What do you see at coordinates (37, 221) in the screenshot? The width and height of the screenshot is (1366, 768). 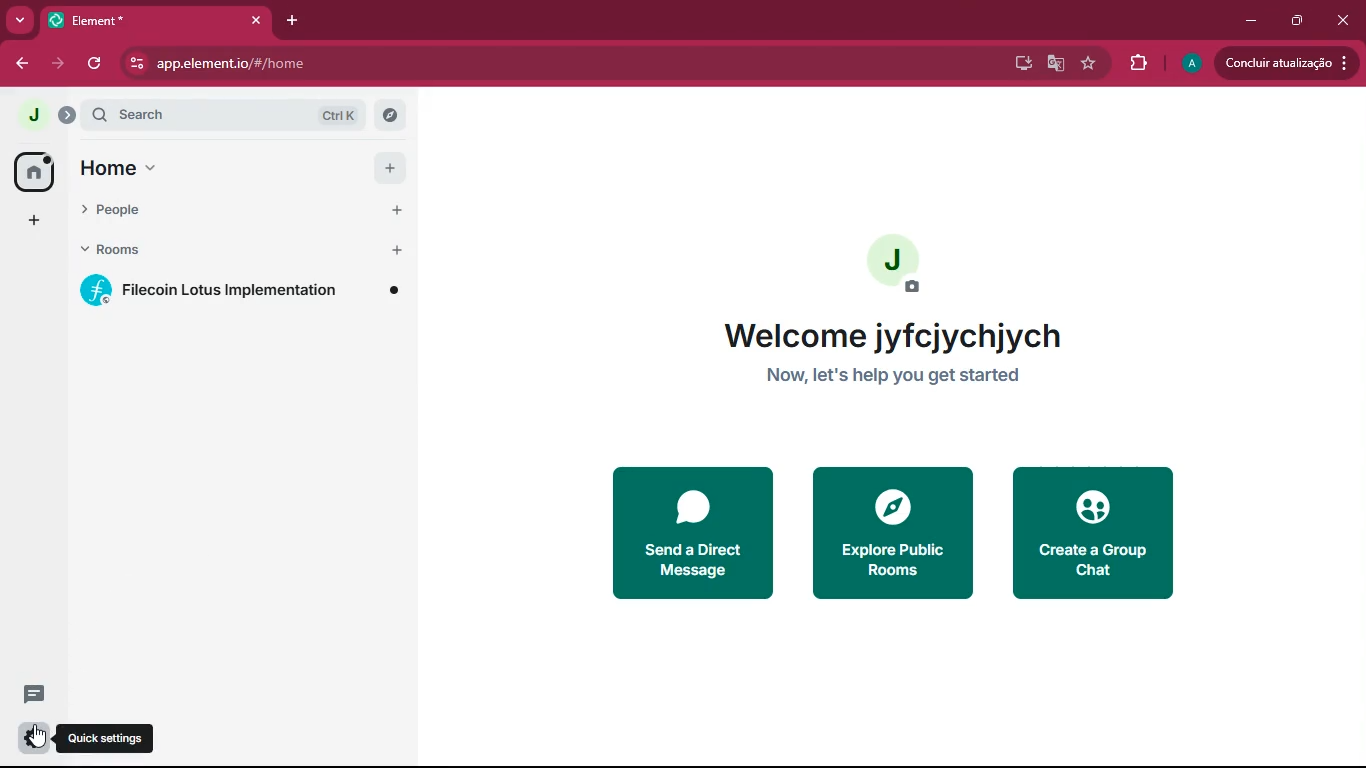 I see `add` at bounding box center [37, 221].